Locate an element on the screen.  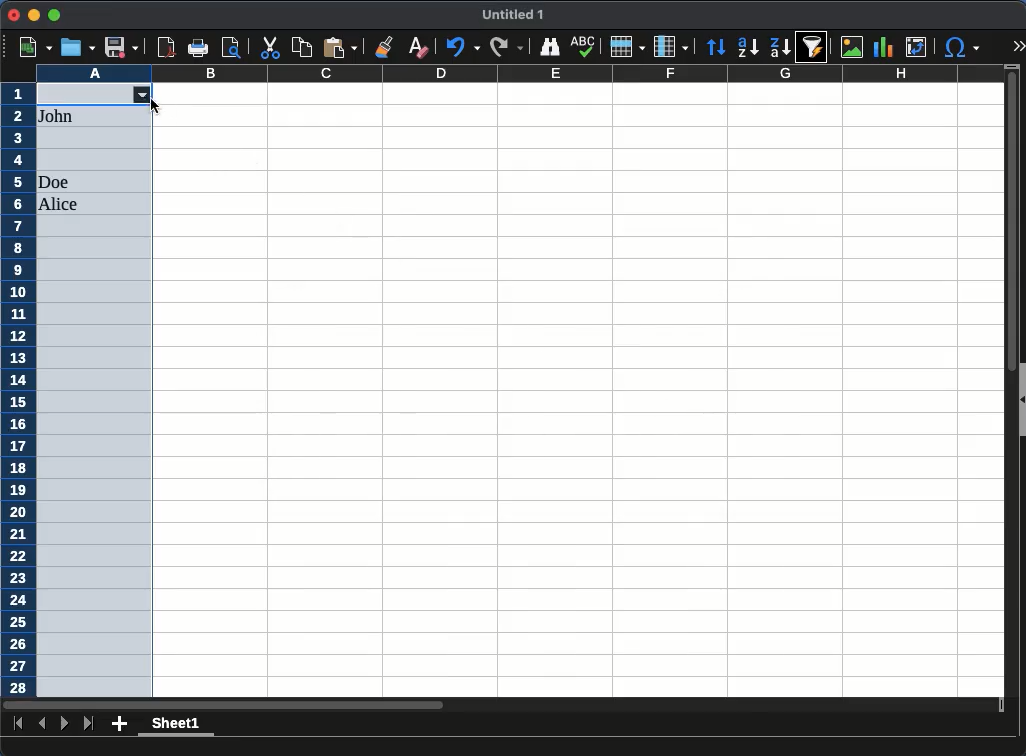
expand is located at coordinates (1017, 45).